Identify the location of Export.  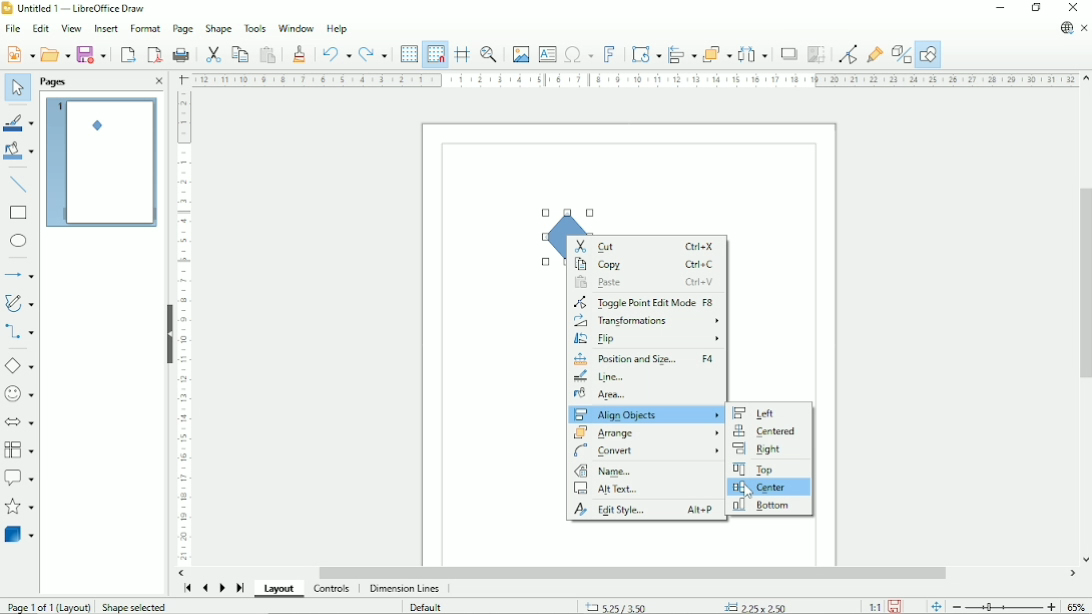
(127, 54).